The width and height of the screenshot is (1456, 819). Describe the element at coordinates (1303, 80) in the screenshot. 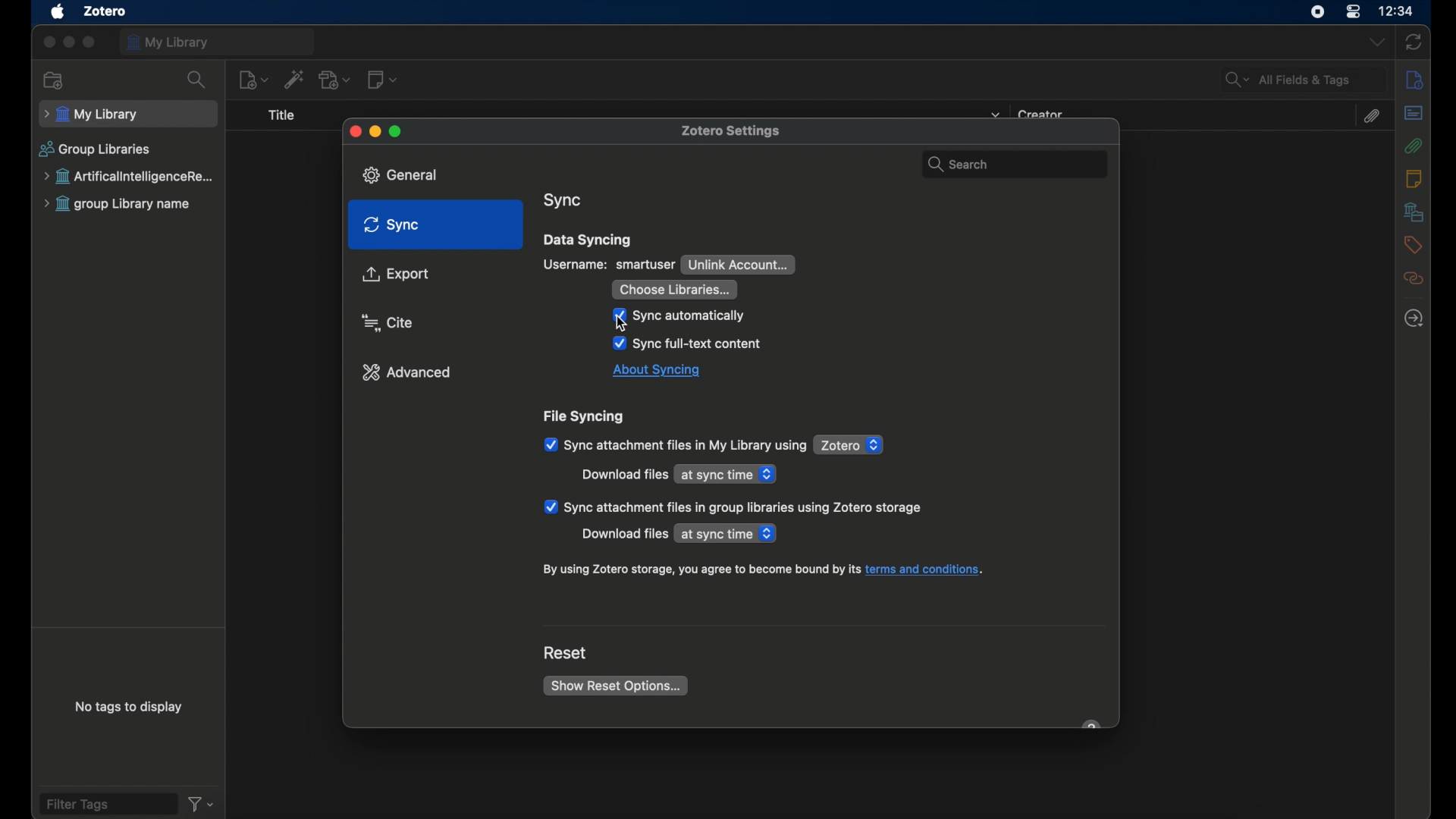

I see `all fields and tags` at that location.